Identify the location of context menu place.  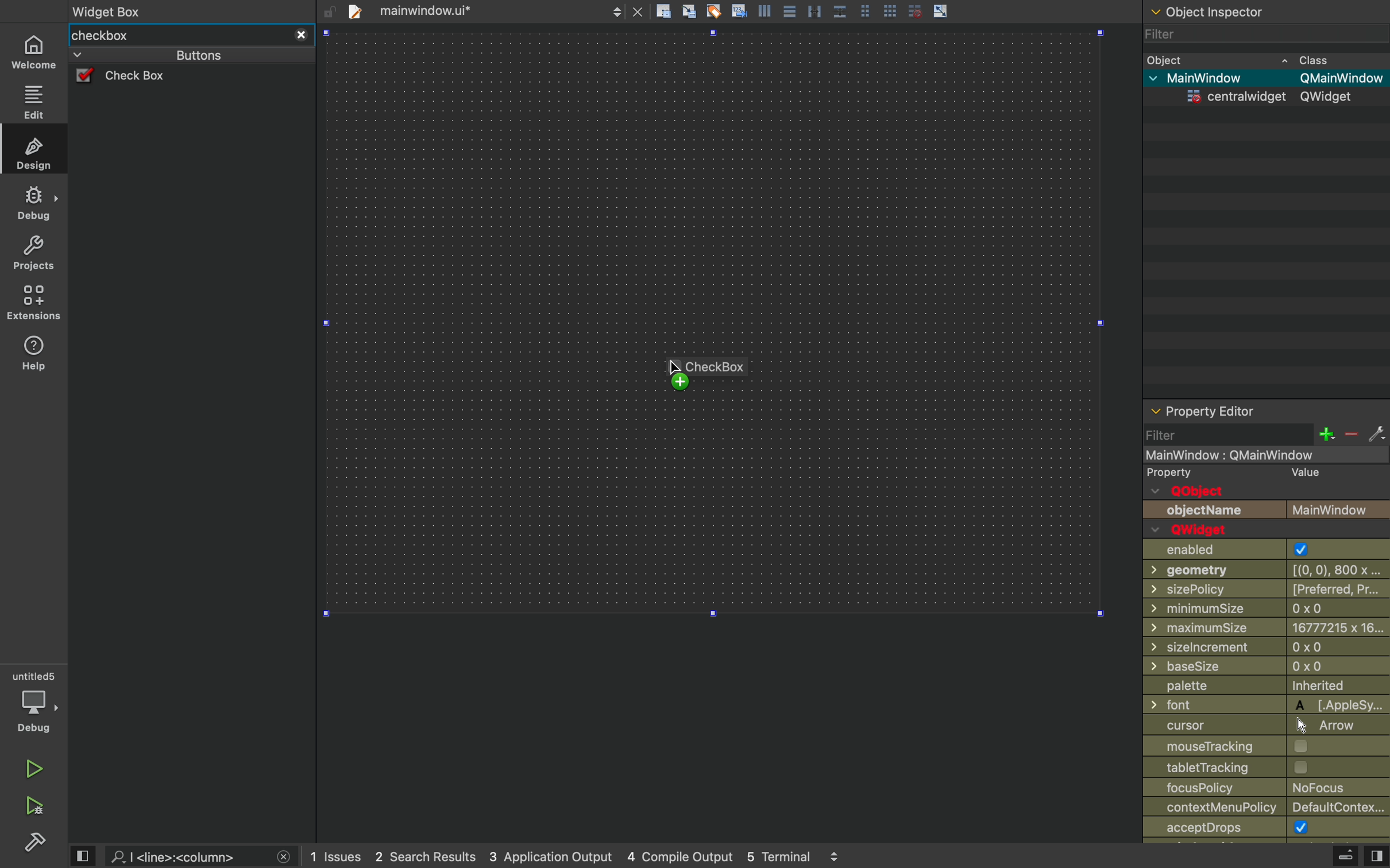
(1269, 808).